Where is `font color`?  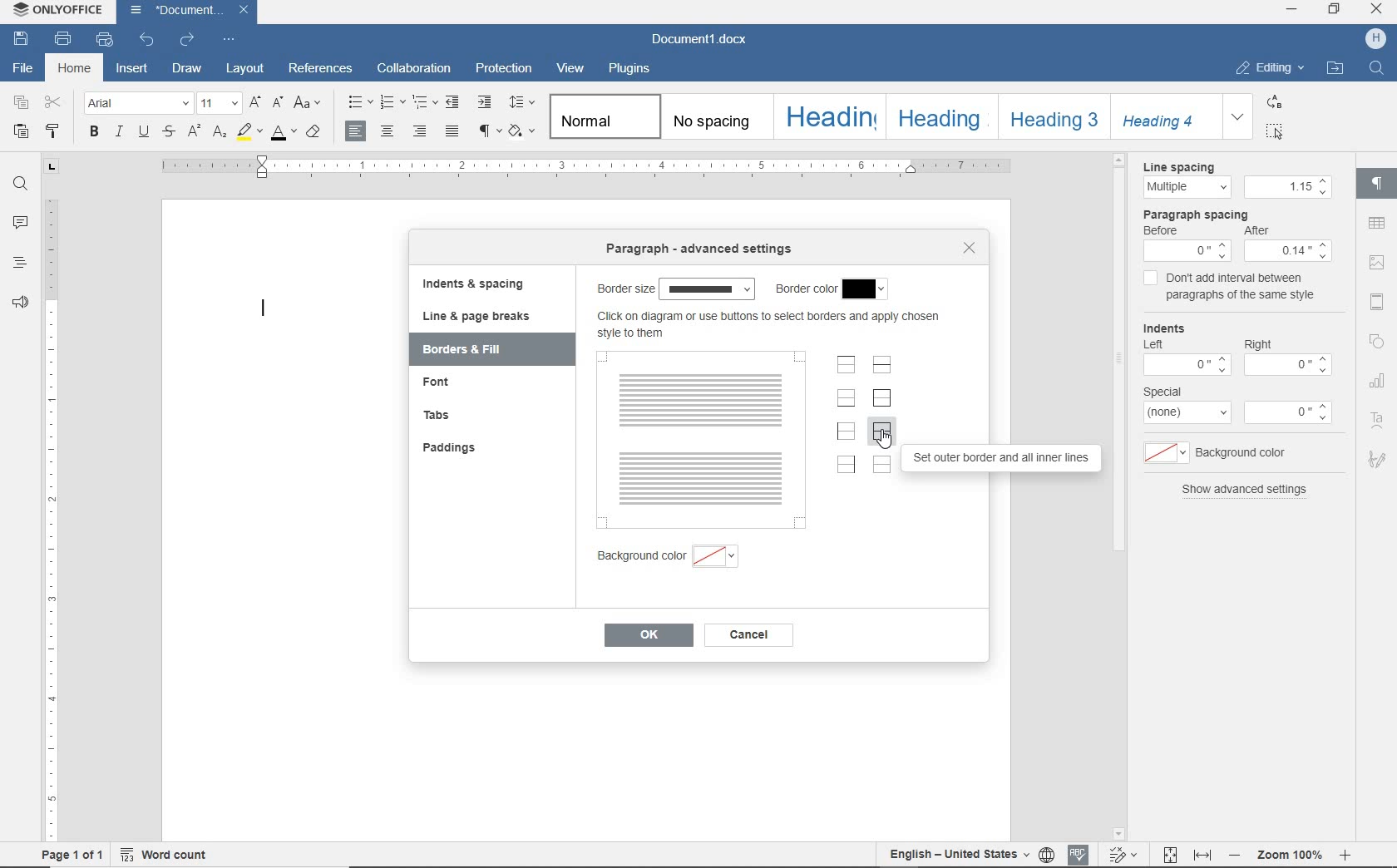
font color is located at coordinates (282, 133).